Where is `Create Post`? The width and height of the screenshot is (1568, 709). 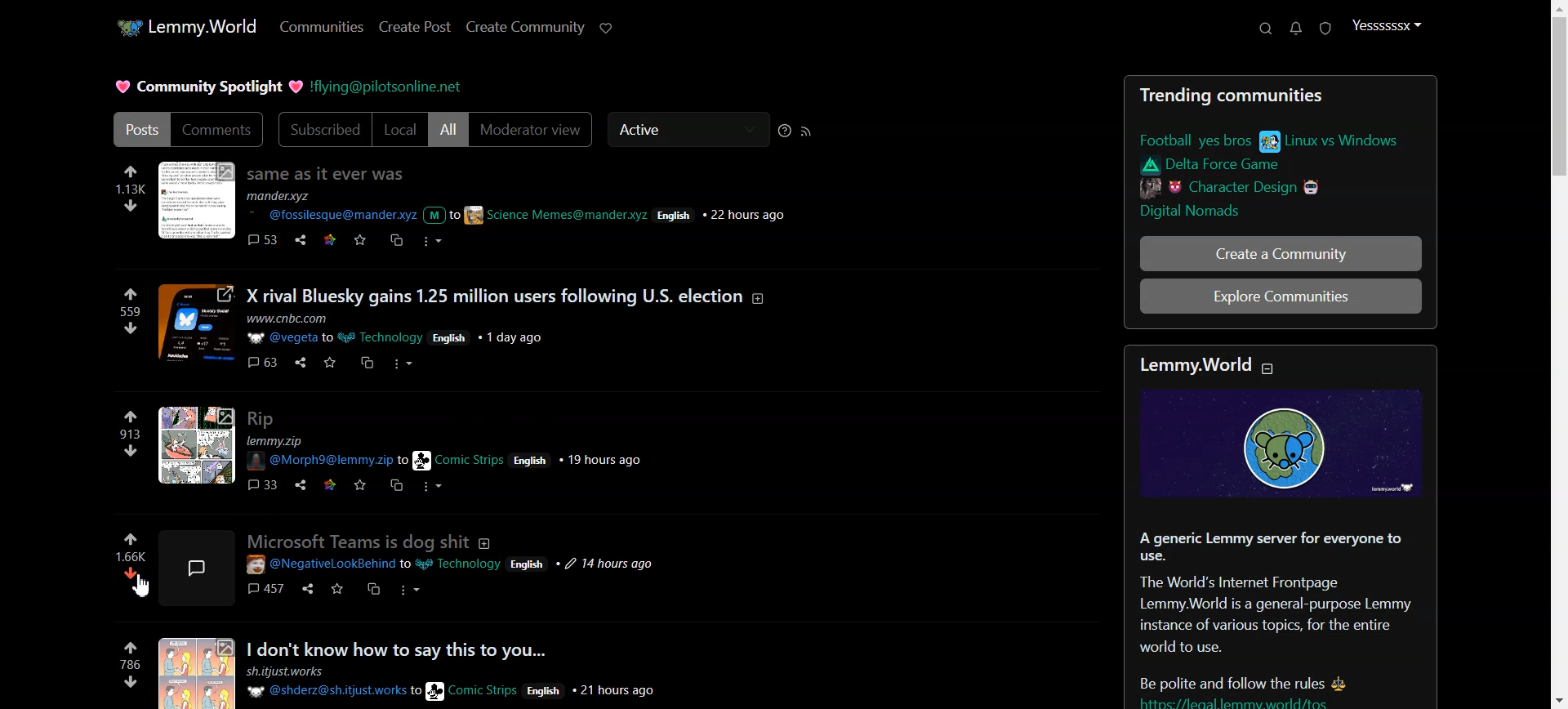
Create Post is located at coordinates (415, 26).